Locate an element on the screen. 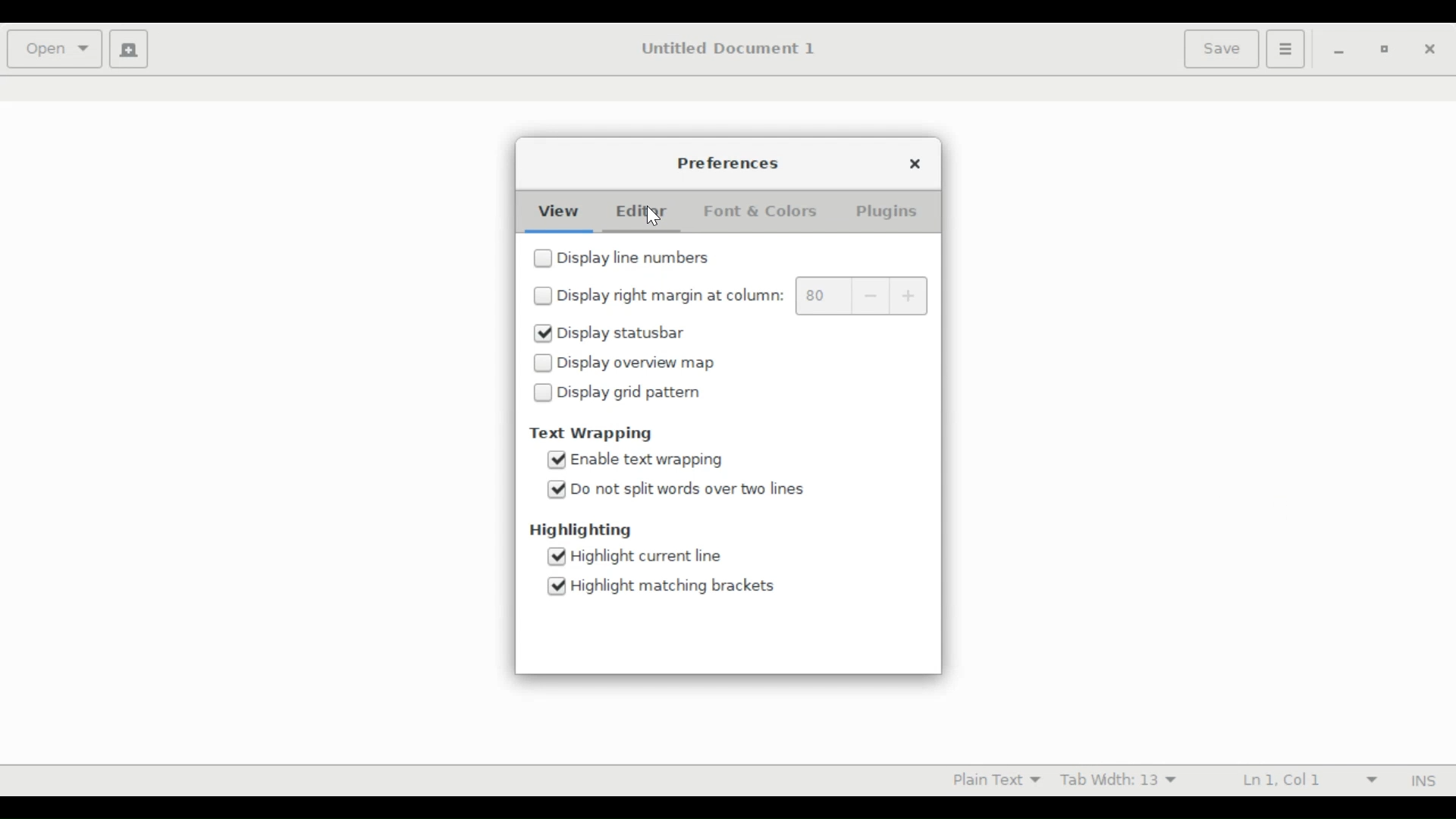  Selected is located at coordinates (557, 557).